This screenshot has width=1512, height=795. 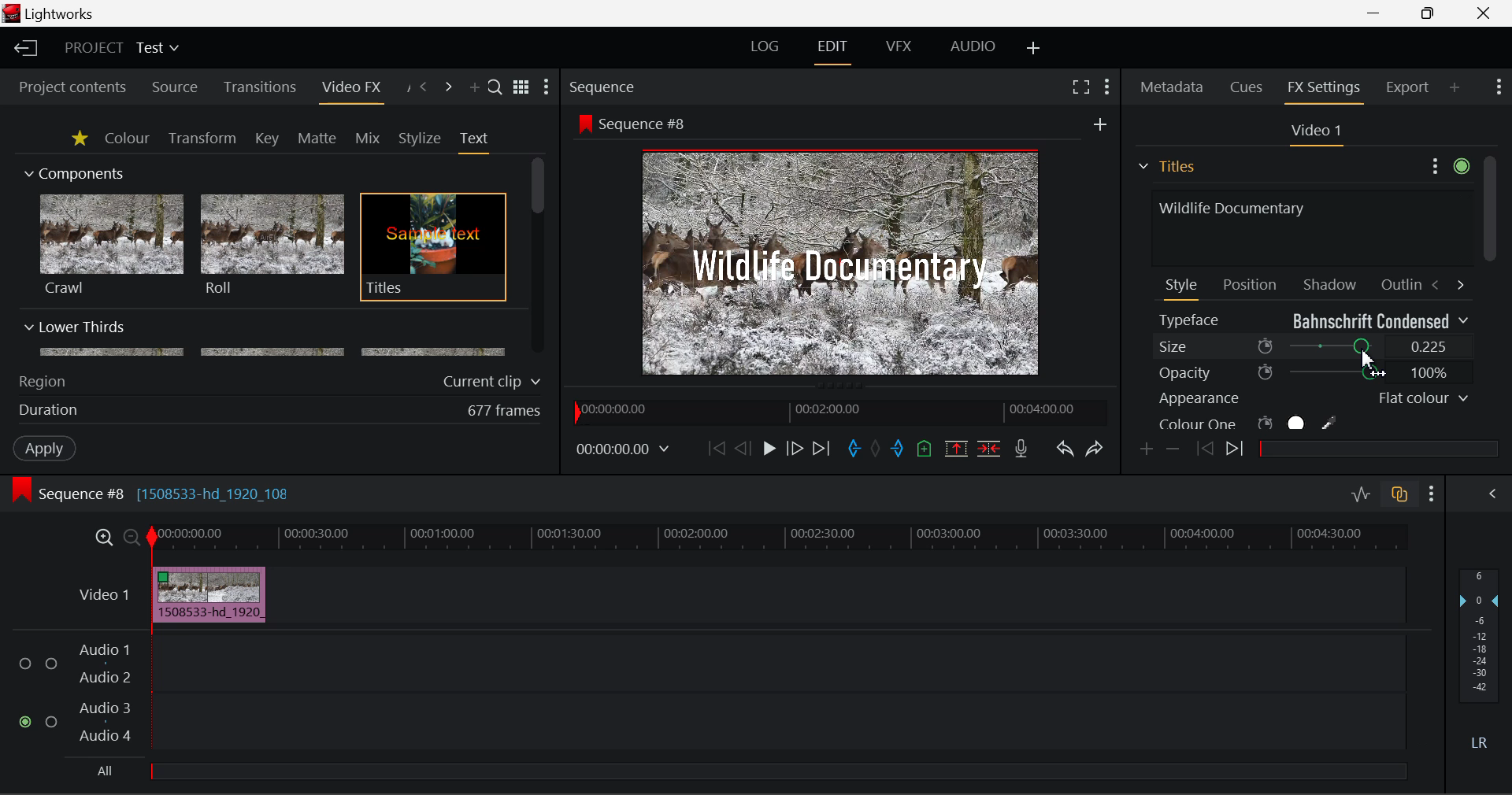 I want to click on LOG Layout, so click(x=765, y=46).